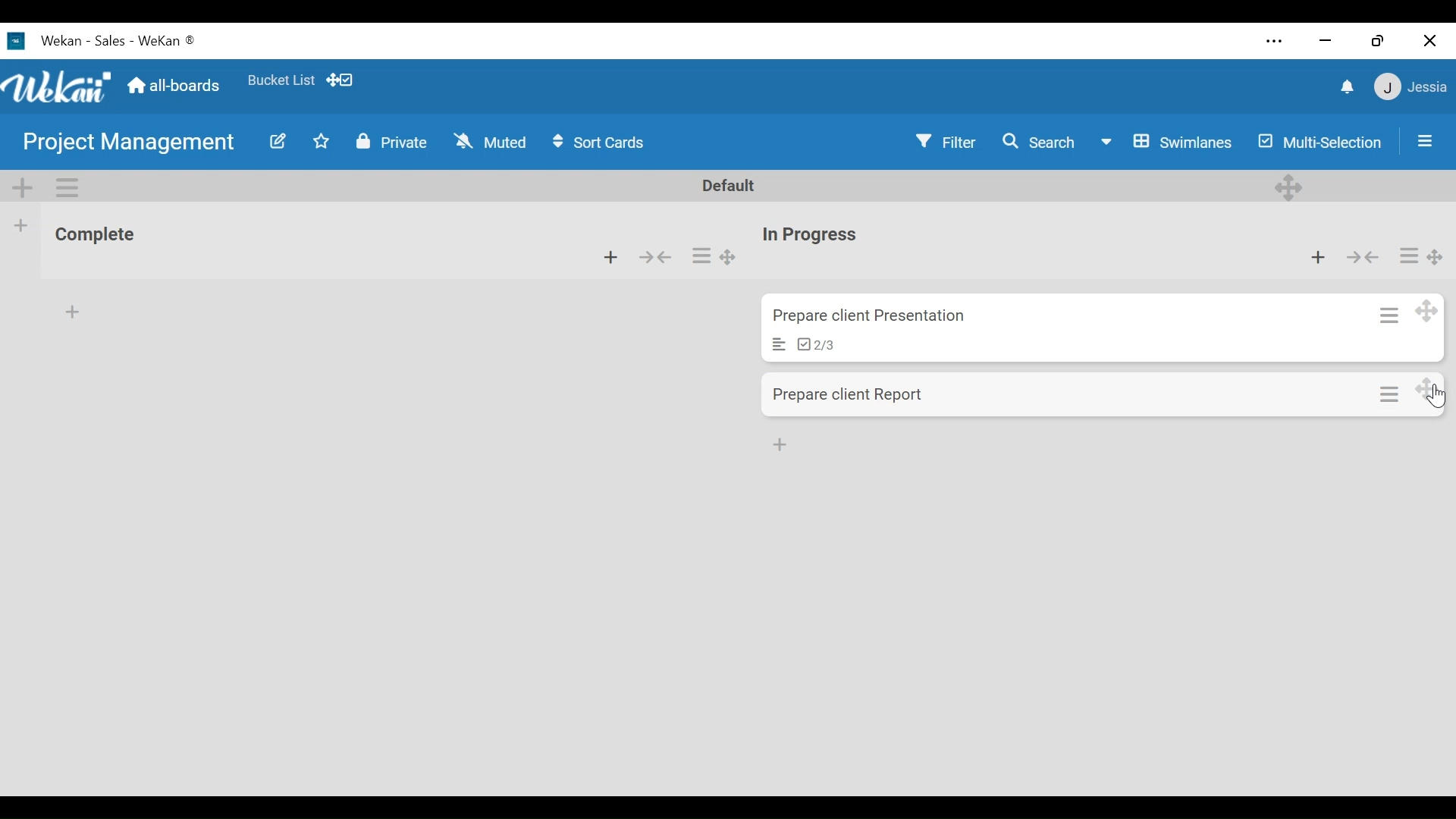 Image resolution: width=1456 pixels, height=819 pixels. Describe the element at coordinates (1041, 143) in the screenshot. I see `Search` at that location.